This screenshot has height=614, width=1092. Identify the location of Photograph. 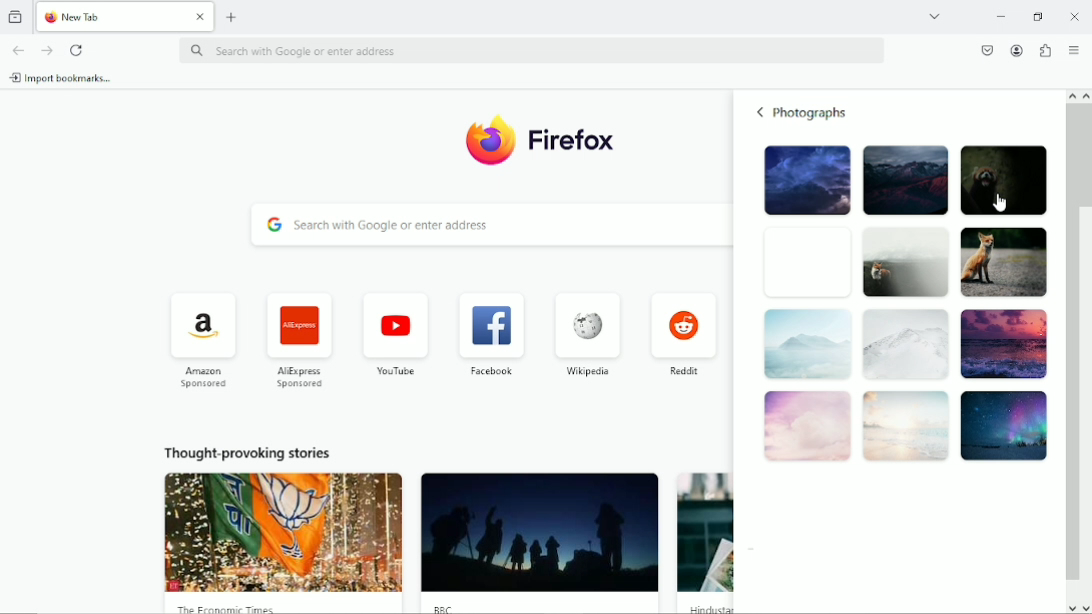
(1002, 345).